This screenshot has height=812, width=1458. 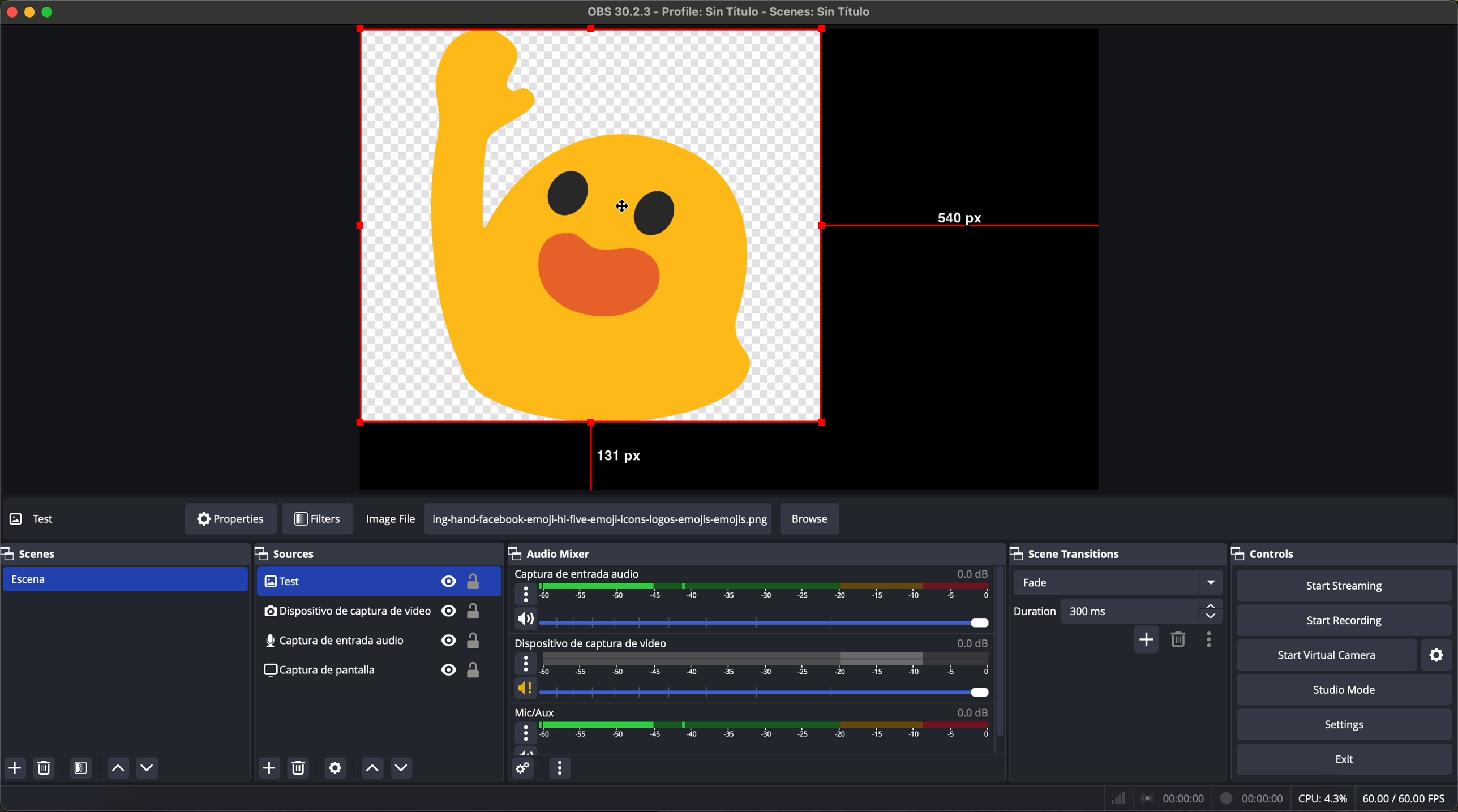 What do you see at coordinates (272, 769) in the screenshot?
I see `click on add source` at bounding box center [272, 769].